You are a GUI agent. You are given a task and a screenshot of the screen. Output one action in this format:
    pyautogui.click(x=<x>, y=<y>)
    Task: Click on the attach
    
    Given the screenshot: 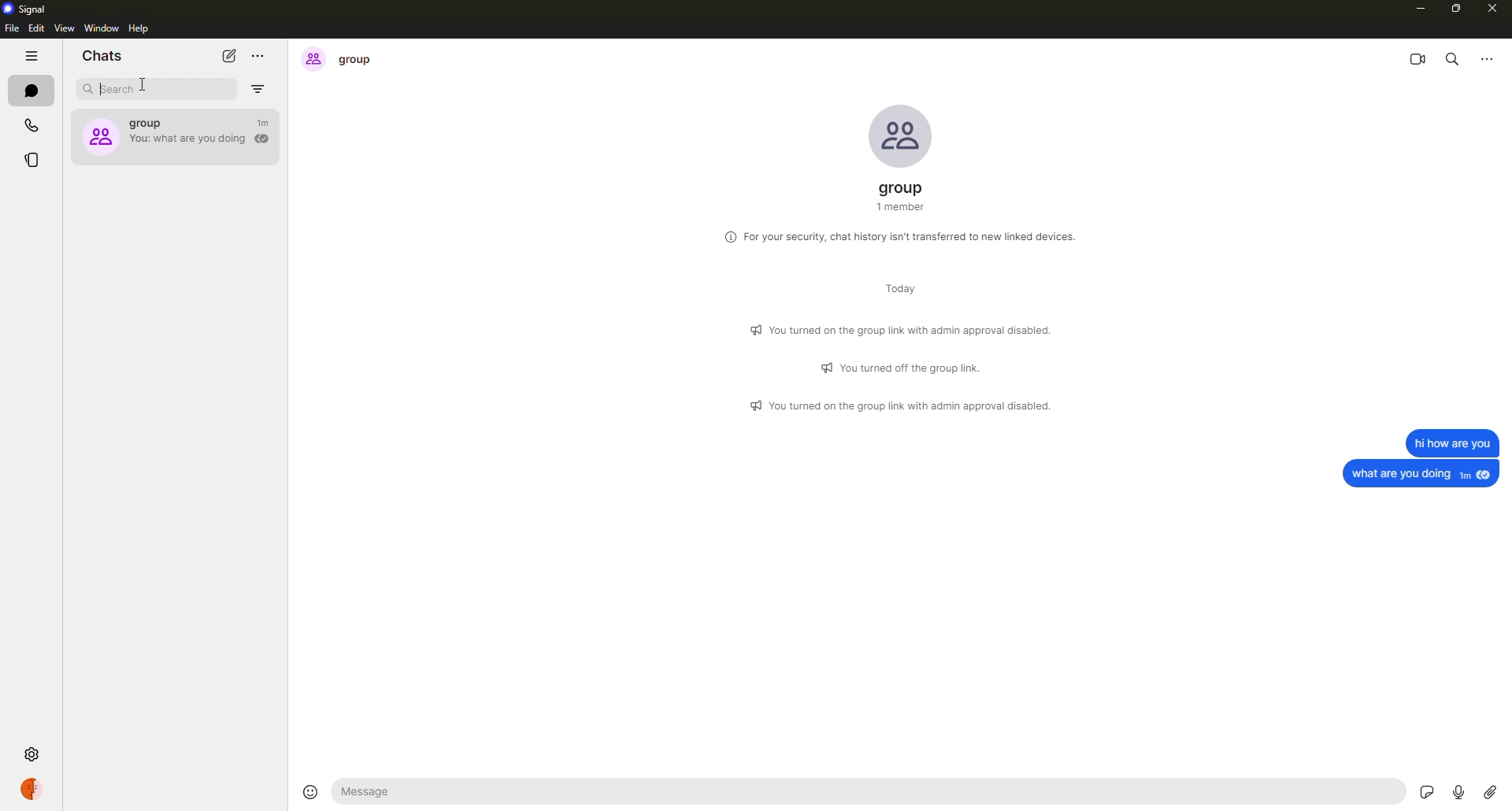 What is the action you would take?
    pyautogui.click(x=1490, y=791)
    